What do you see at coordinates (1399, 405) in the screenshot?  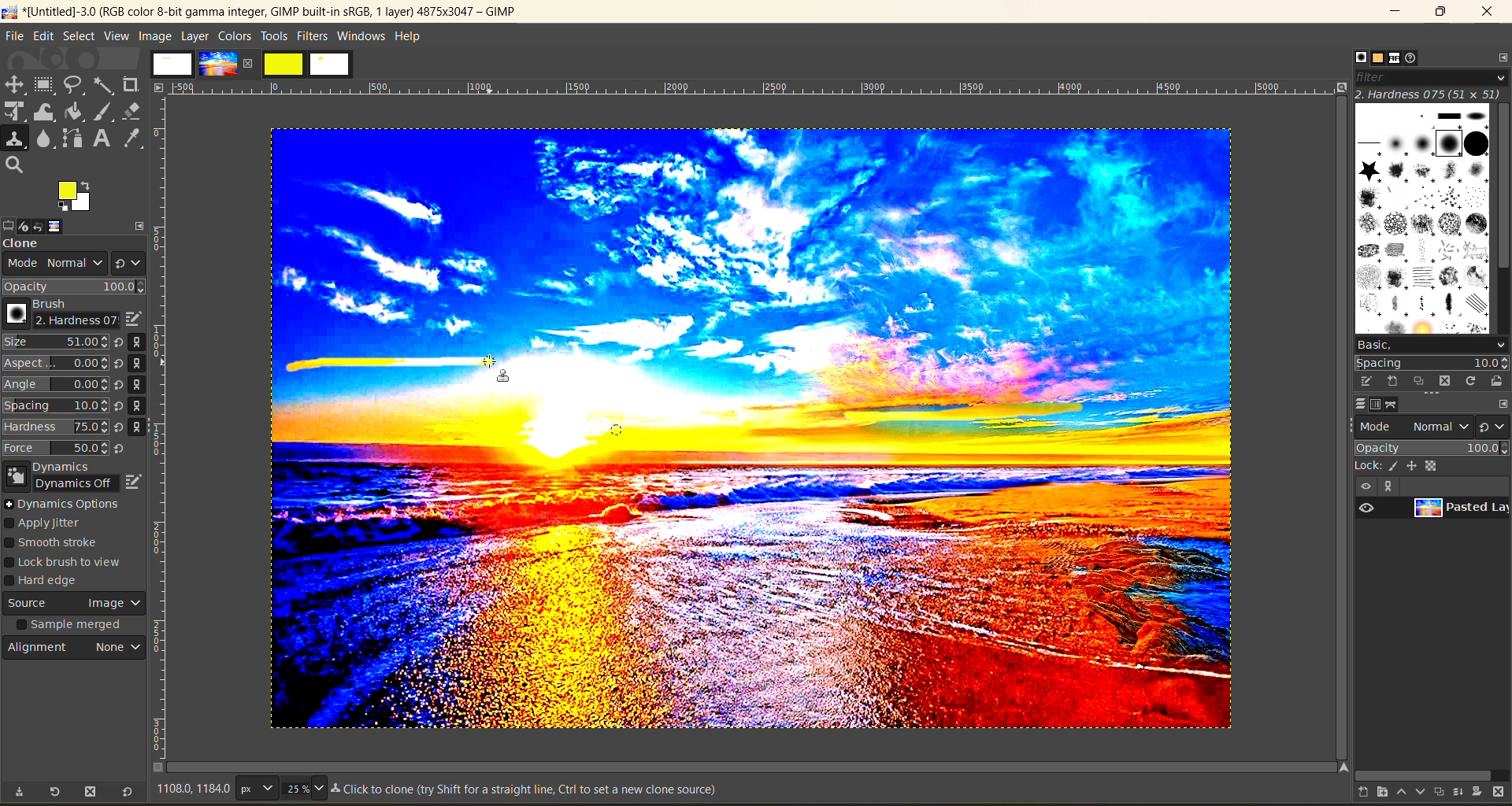 I see `paths` at bounding box center [1399, 405].